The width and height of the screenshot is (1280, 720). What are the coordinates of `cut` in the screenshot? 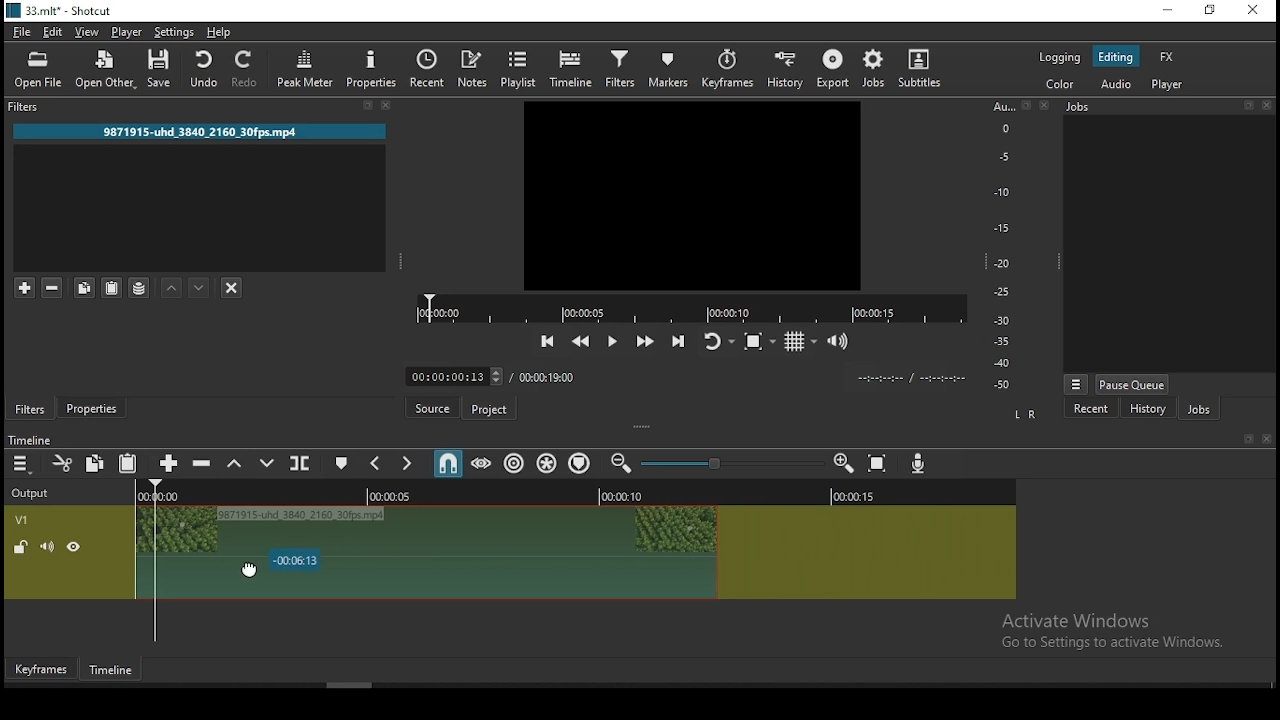 It's located at (61, 463).